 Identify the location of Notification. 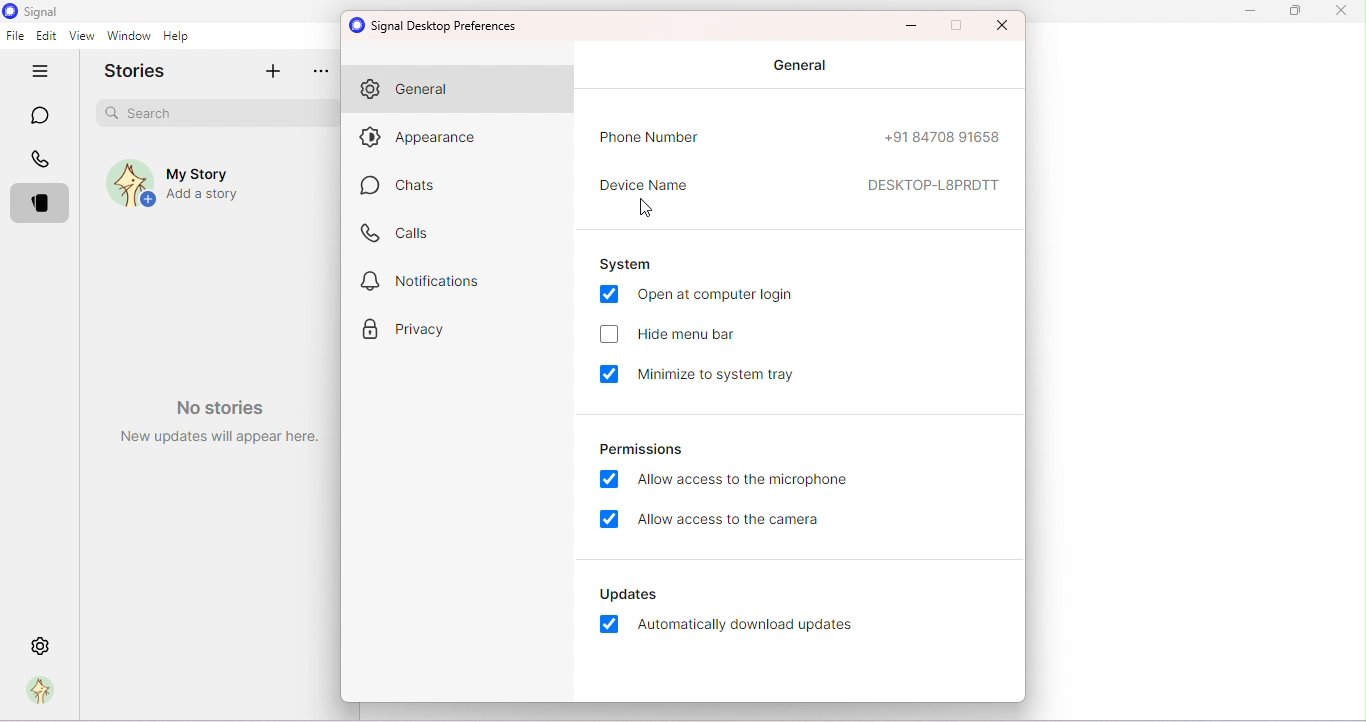
(420, 285).